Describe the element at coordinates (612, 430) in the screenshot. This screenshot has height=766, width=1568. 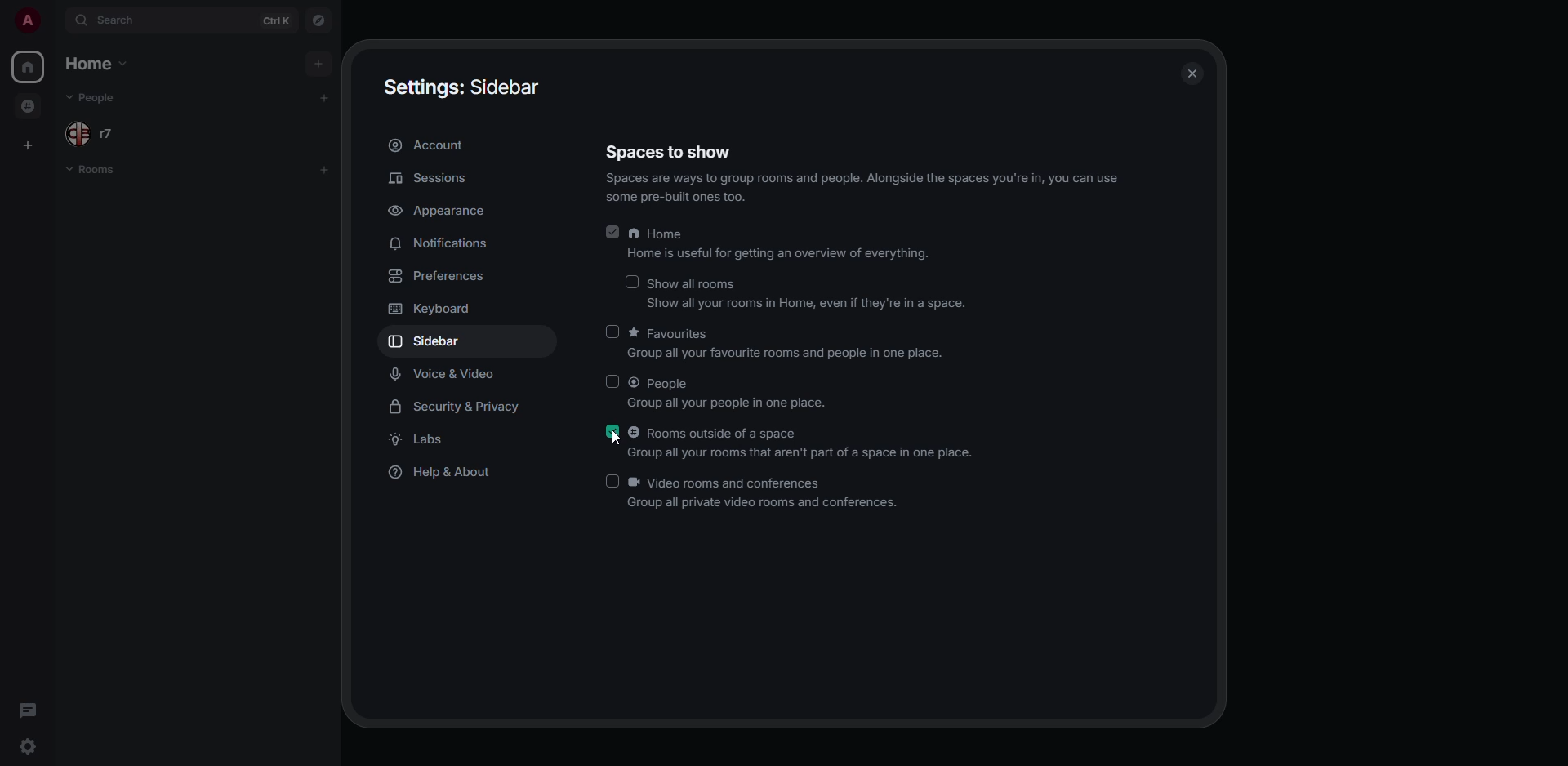
I see `enabled` at that location.